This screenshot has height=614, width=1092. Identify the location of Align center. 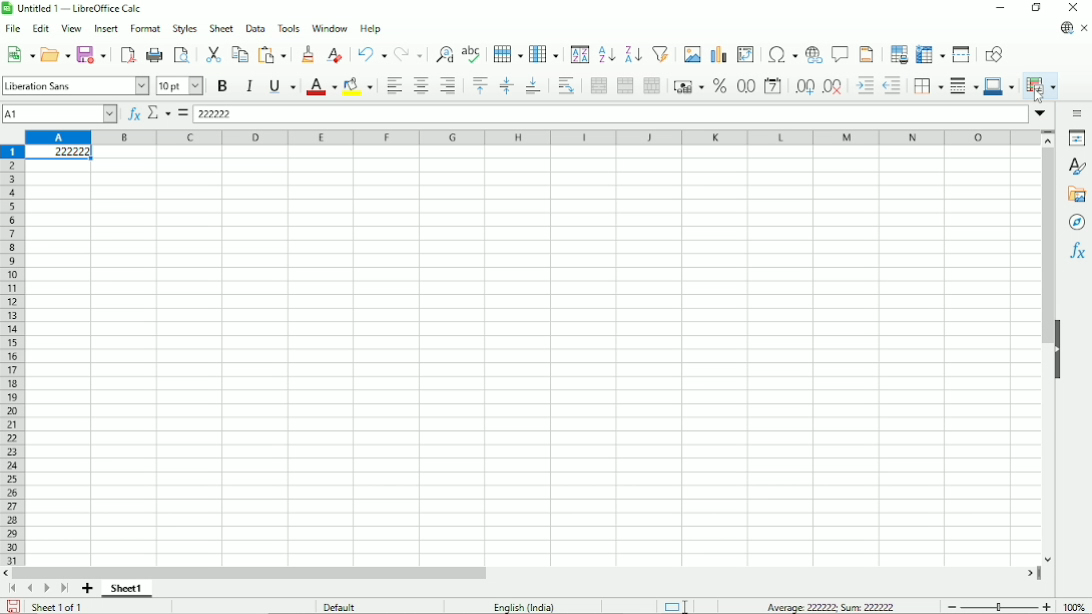
(420, 86).